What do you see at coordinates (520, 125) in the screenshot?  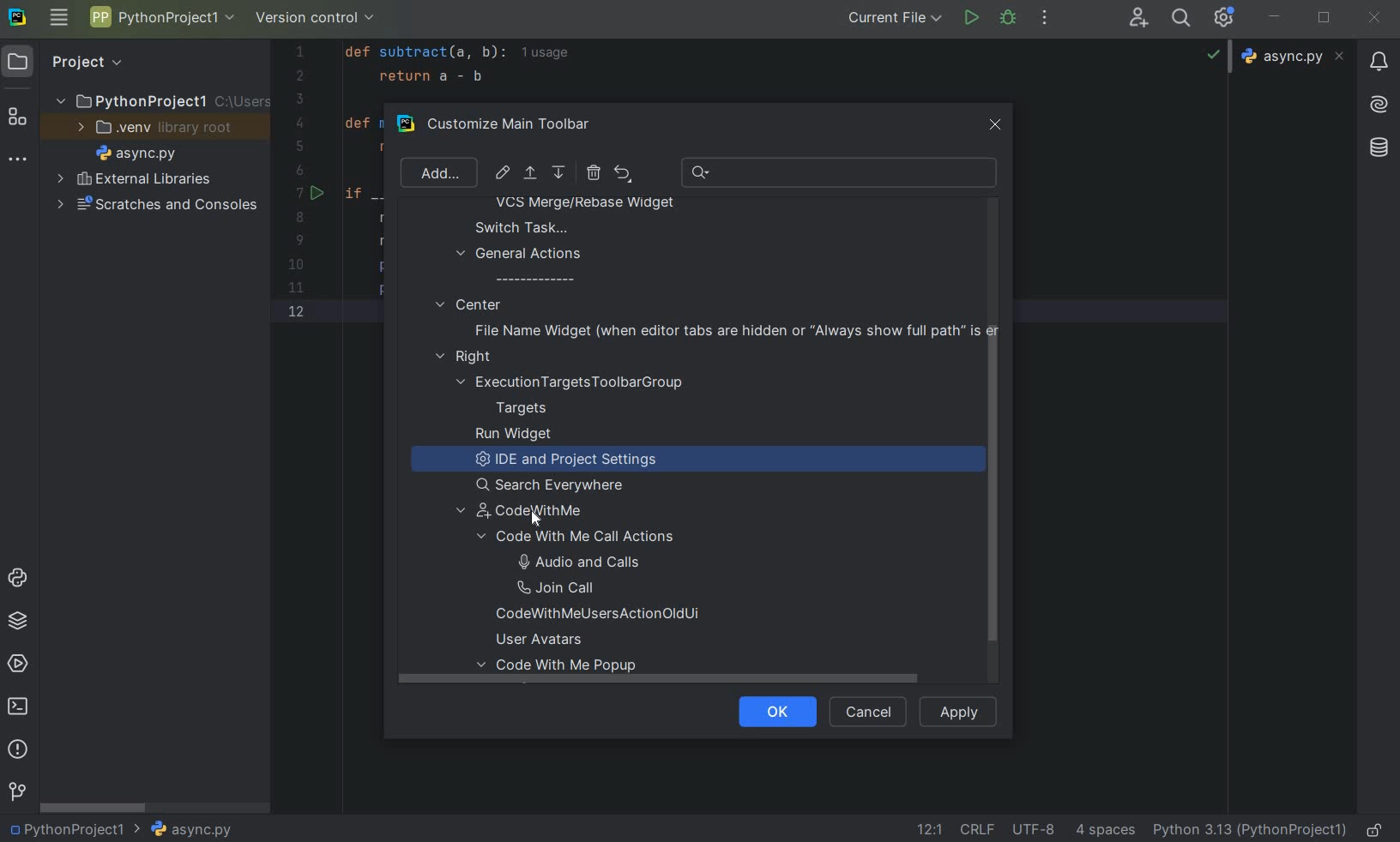 I see `CUSTOMIZE MAIN TOOLBAR` at bounding box center [520, 125].